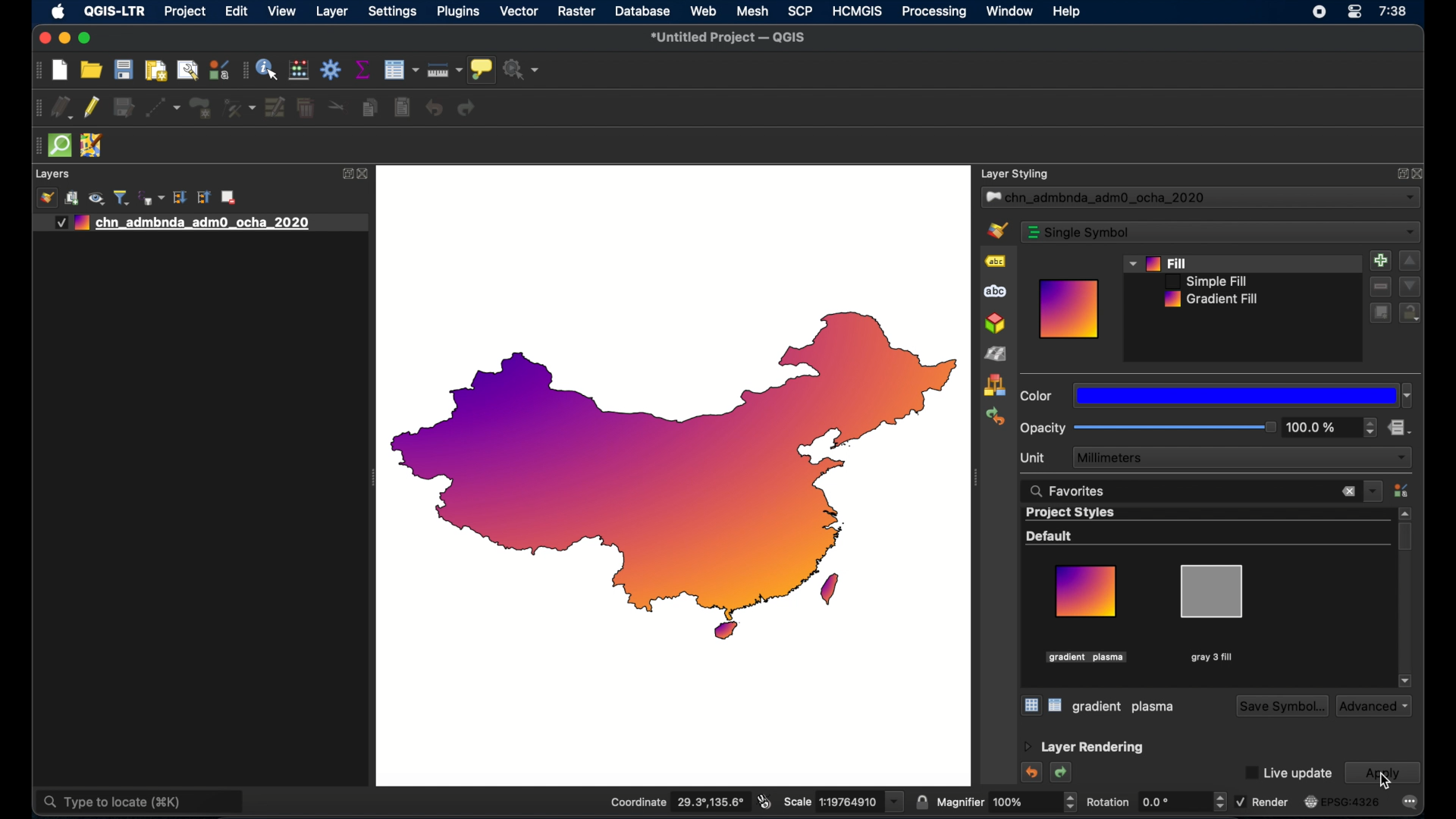 This screenshot has width=1456, height=819. I want to click on drag handle, so click(38, 71).